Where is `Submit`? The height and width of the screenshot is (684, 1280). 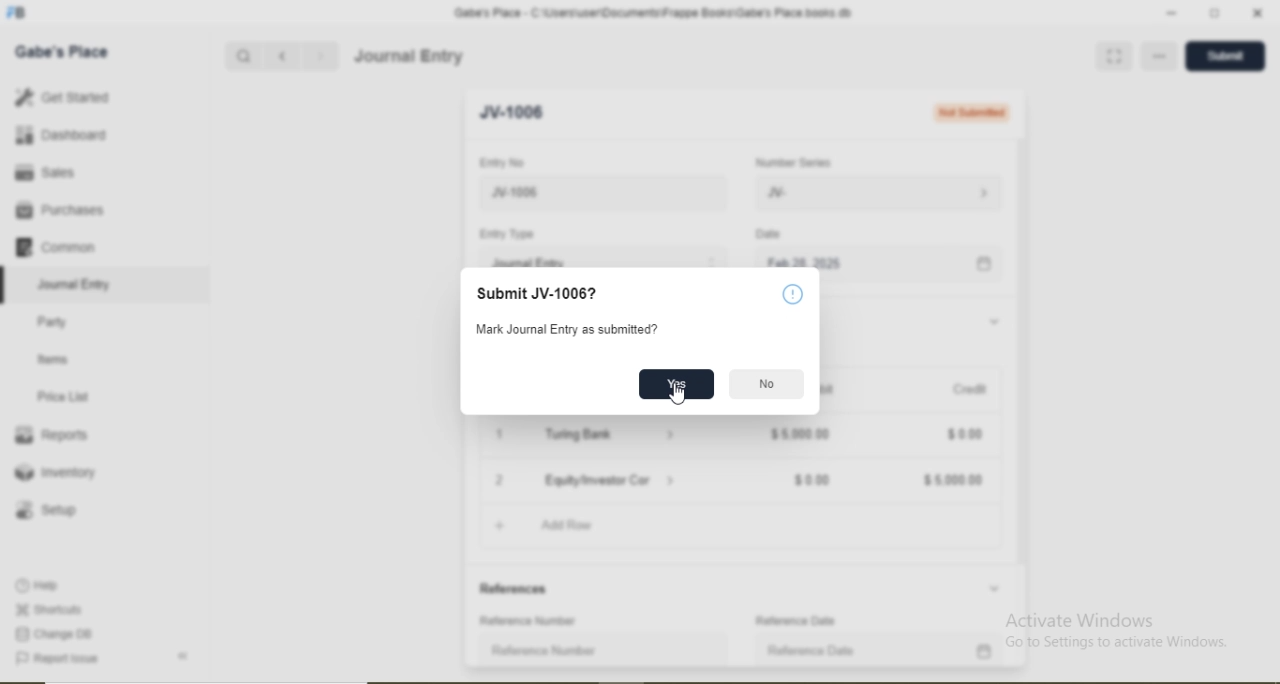 Submit is located at coordinates (1221, 56).